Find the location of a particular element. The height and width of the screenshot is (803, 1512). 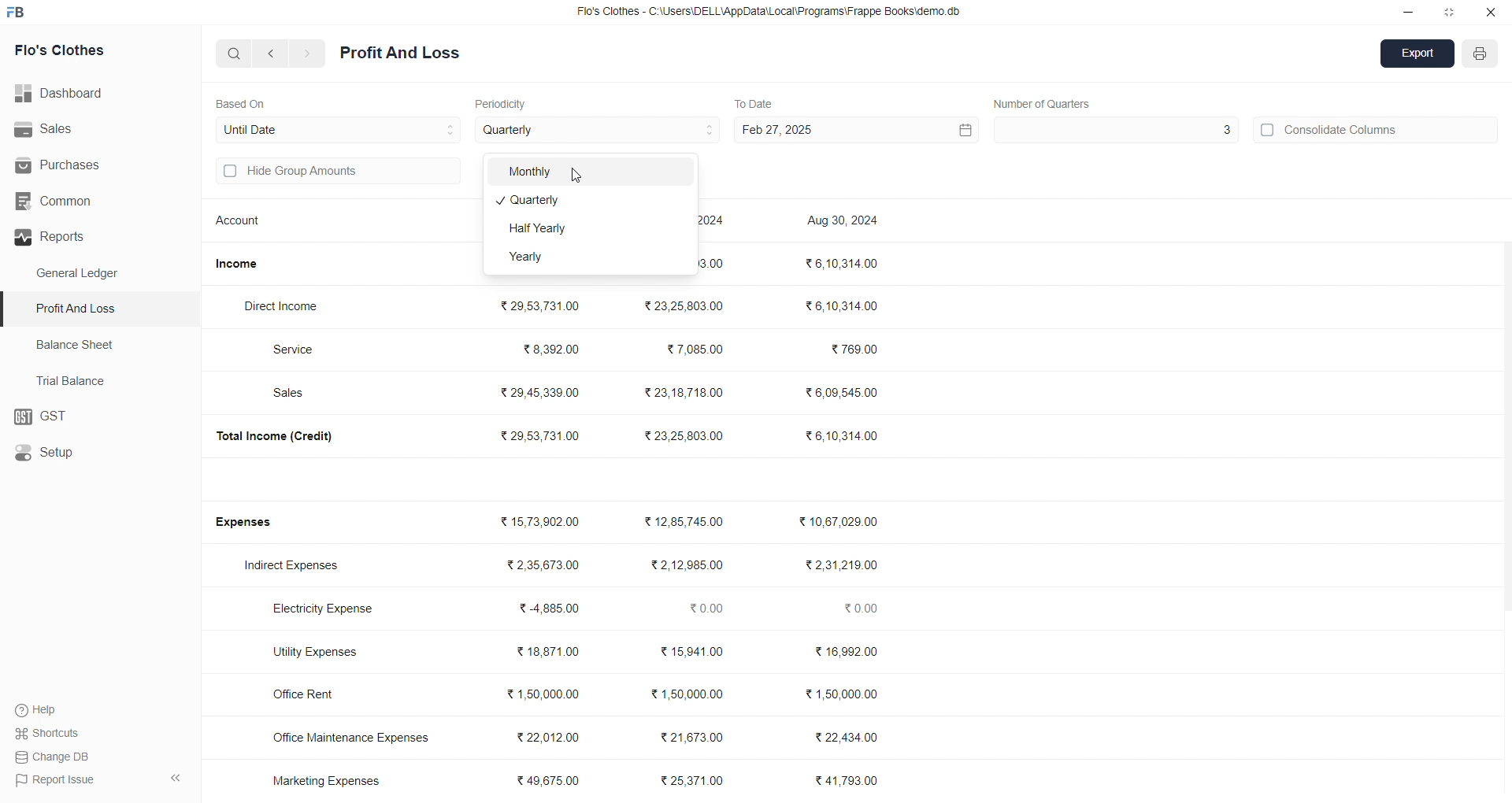

collapse sidebar is located at coordinates (175, 779).